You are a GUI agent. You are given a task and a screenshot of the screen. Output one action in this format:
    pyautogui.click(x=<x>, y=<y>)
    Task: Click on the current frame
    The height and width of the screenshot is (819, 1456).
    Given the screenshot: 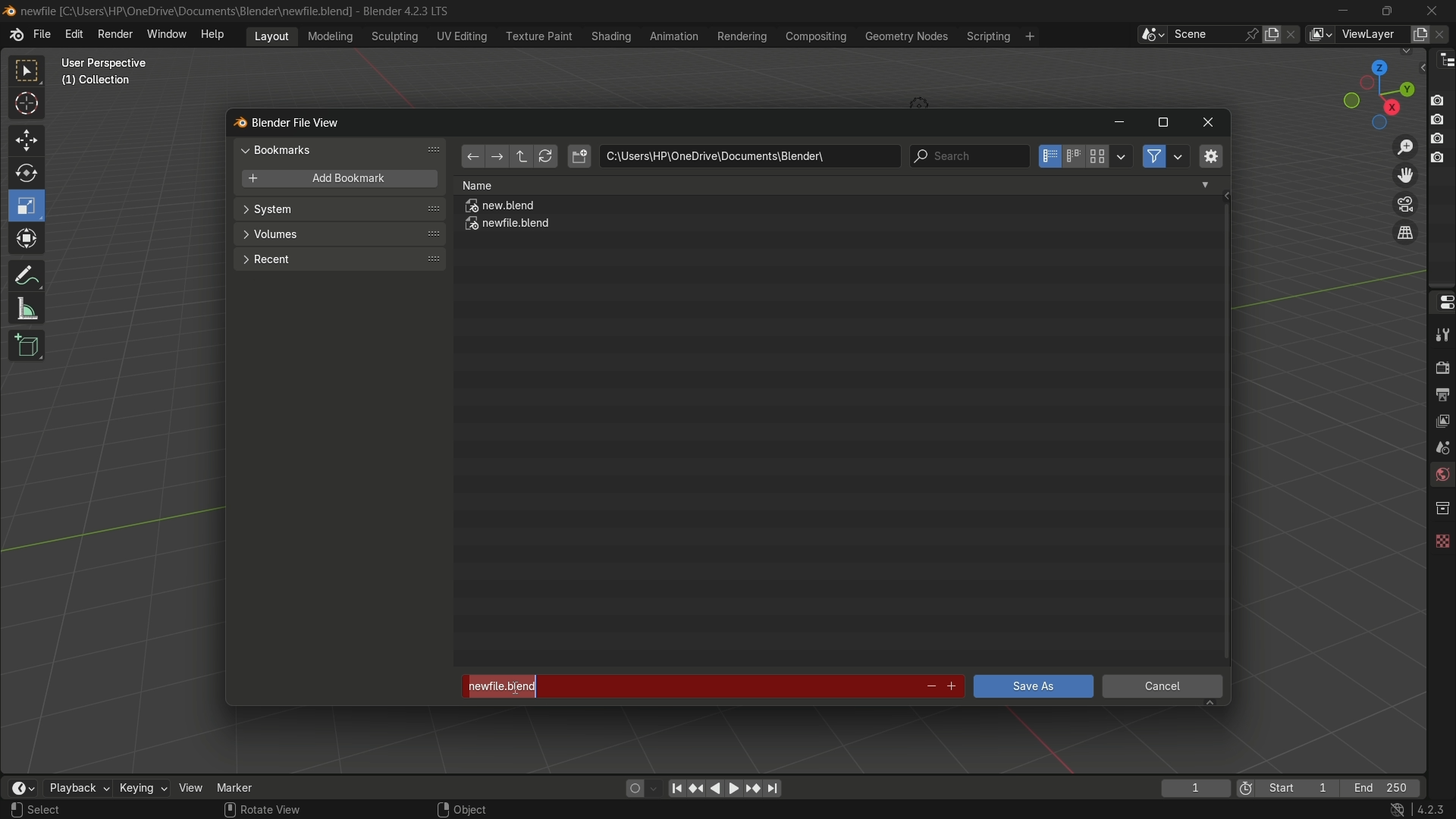 What is the action you would take?
    pyautogui.click(x=1194, y=788)
    